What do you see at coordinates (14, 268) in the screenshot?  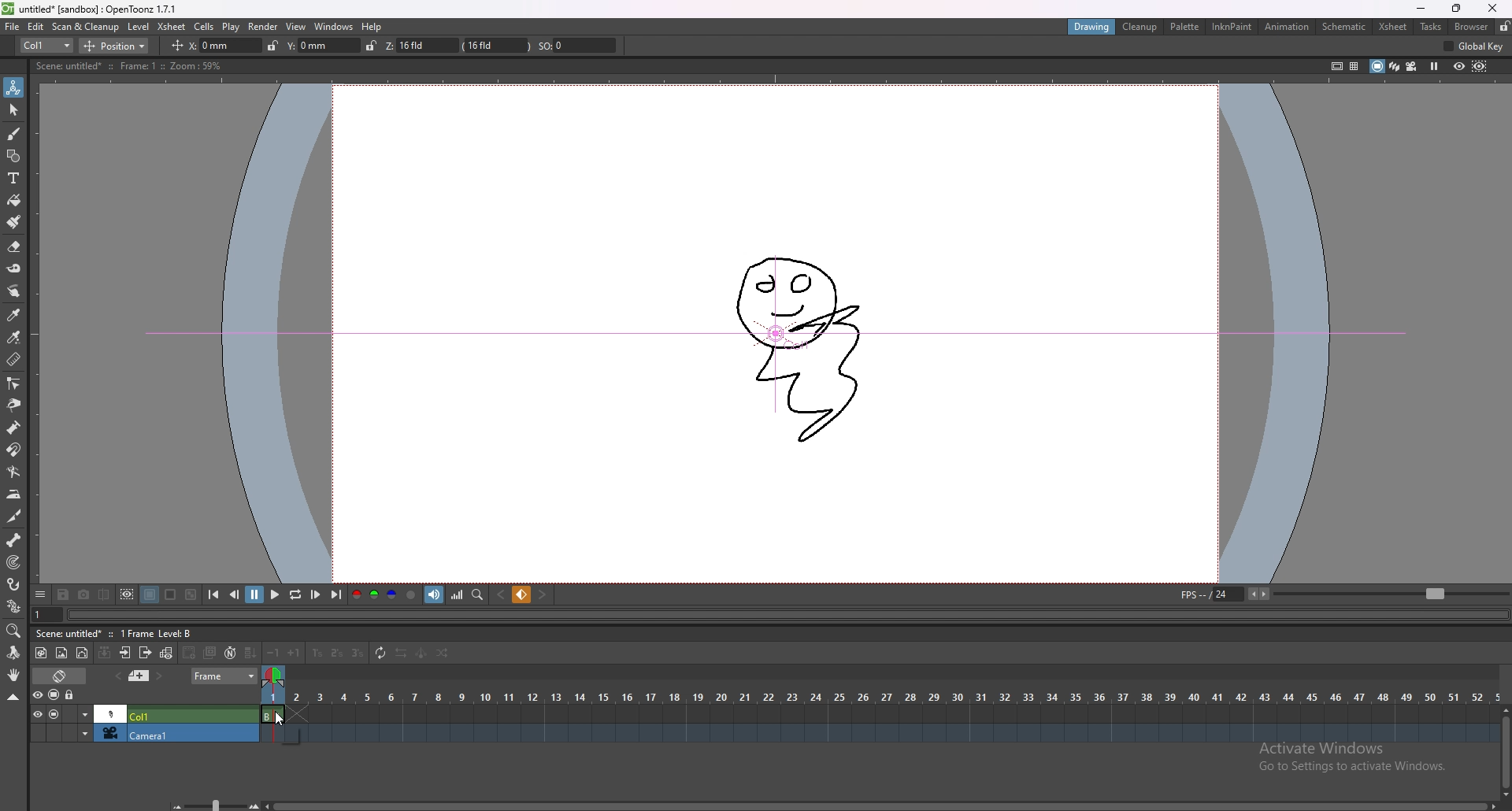 I see `tape` at bounding box center [14, 268].